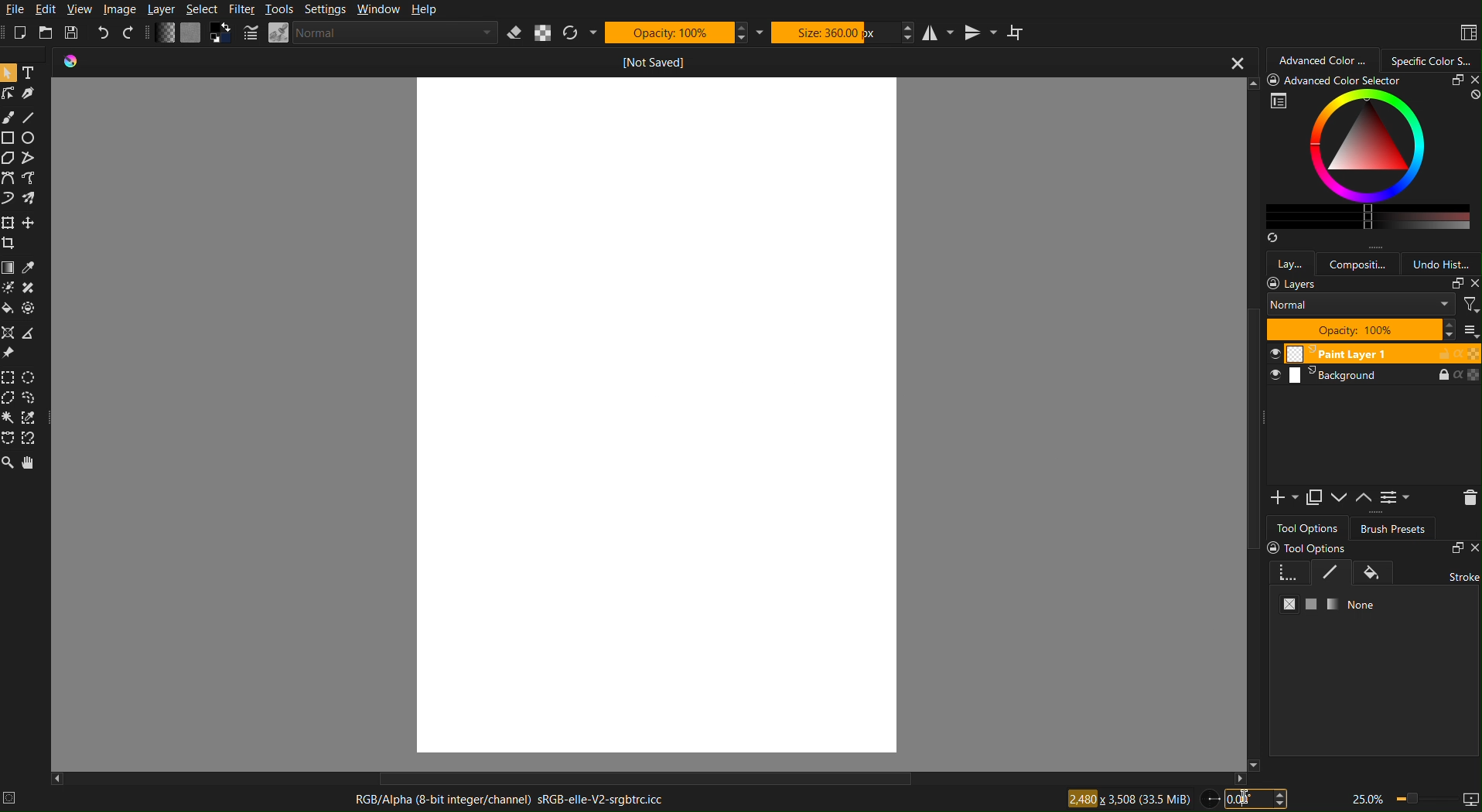  Describe the element at coordinates (1015, 32) in the screenshot. I see `Wrap around` at that location.